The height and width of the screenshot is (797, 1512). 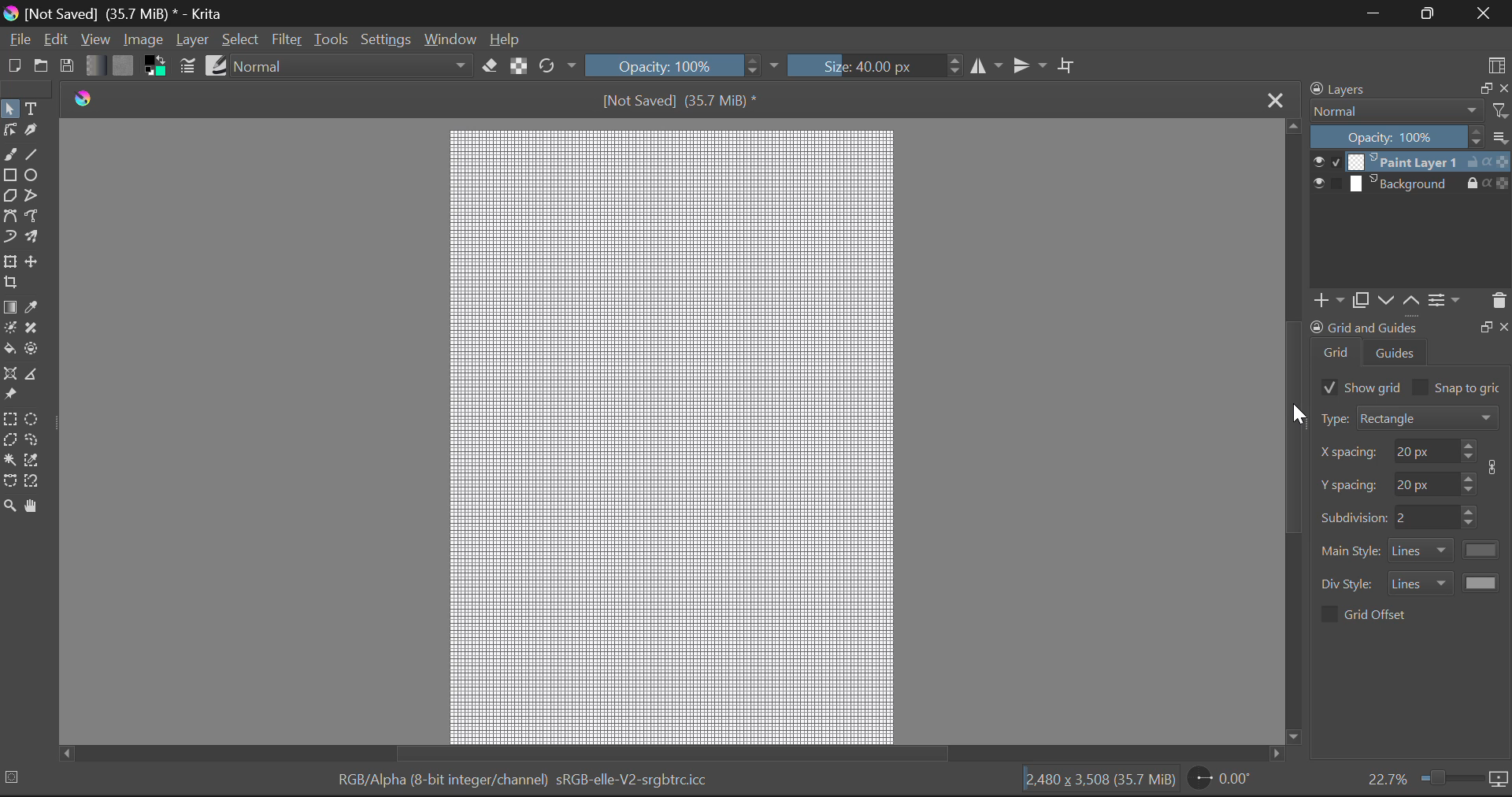 What do you see at coordinates (386, 40) in the screenshot?
I see `Settings` at bounding box center [386, 40].